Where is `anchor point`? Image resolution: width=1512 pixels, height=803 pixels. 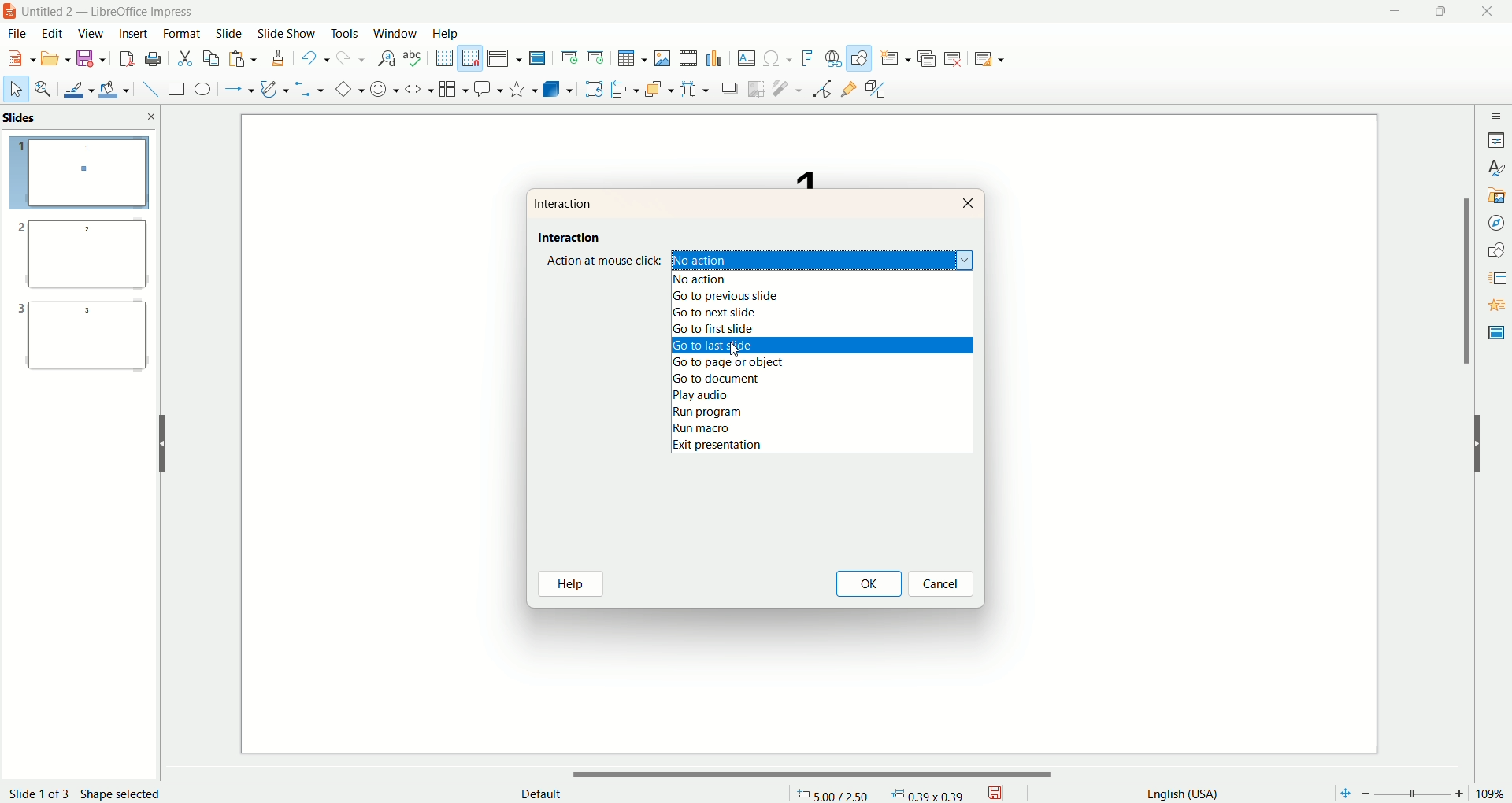
anchor point is located at coordinates (935, 794).